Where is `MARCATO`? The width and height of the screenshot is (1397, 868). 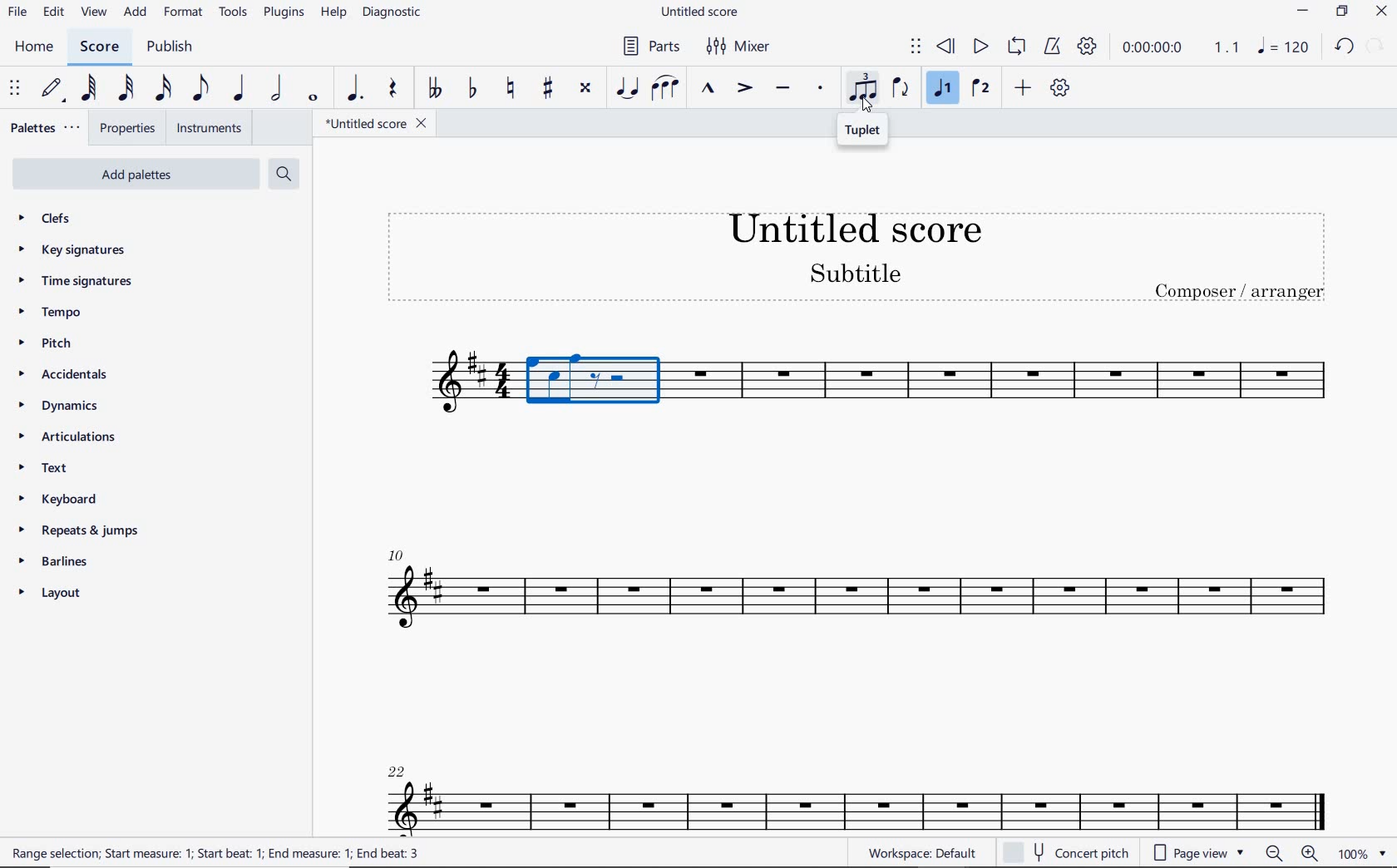
MARCATO is located at coordinates (708, 91).